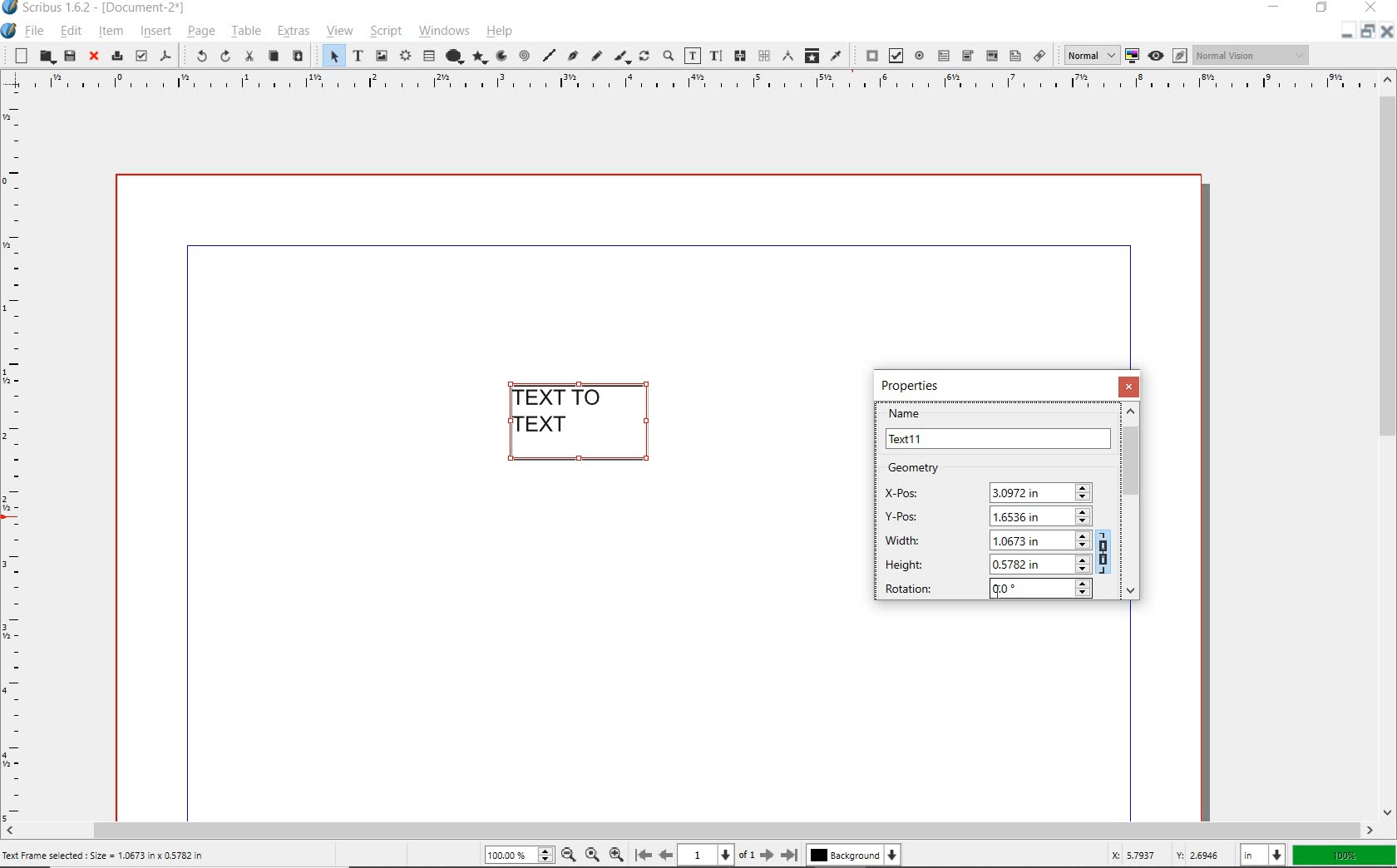 The image size is (1397, 868). What do you see at coordinates (1260, 856) in the screenshot?
I see `select unit` at bounding box center [1260, 856].